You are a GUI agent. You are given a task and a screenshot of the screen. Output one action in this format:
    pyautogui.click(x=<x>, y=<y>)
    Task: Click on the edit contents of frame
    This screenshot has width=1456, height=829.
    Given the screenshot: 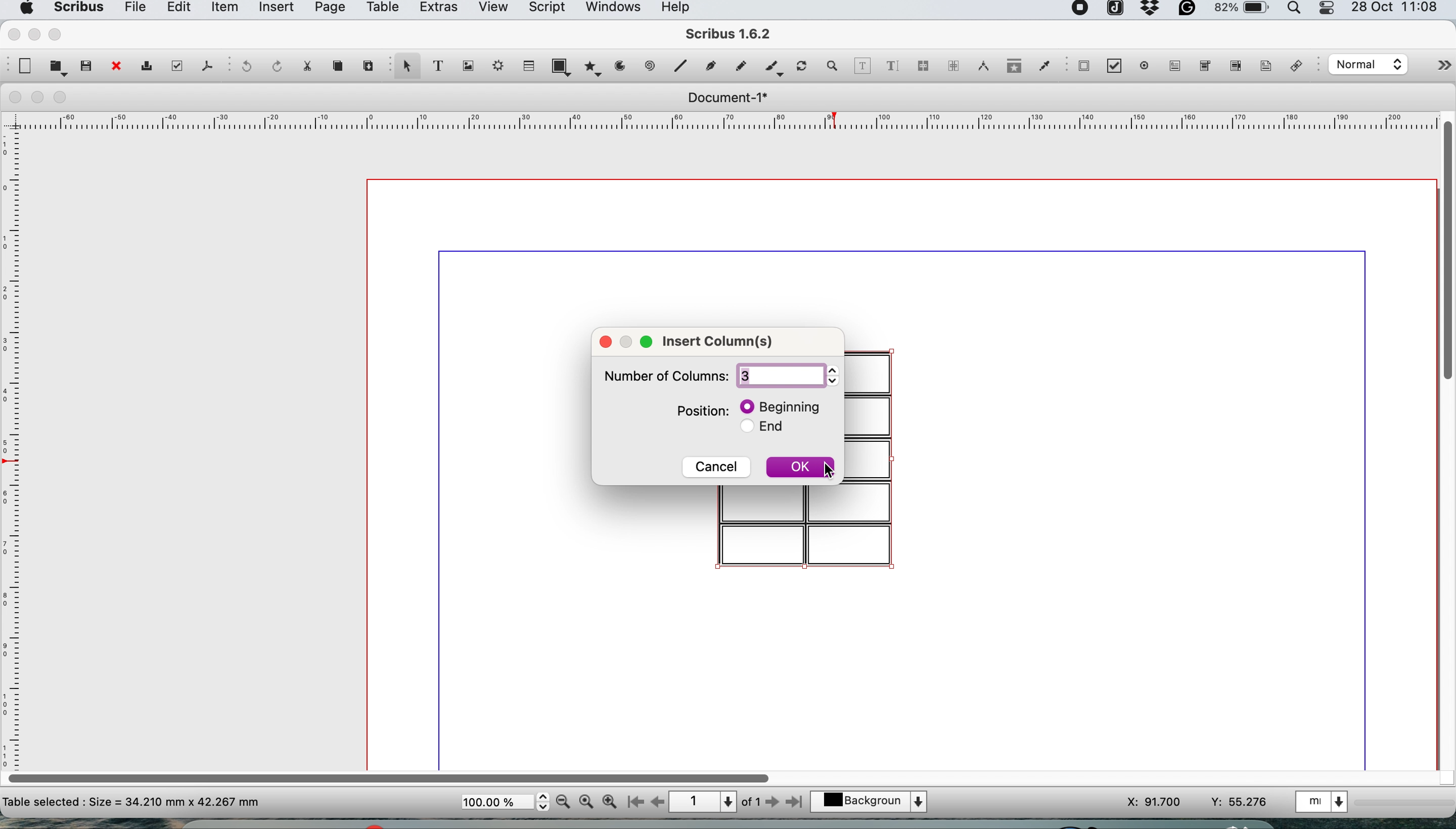 What is the action you would take?
    pyautogui.click(x=862, y=65)
    